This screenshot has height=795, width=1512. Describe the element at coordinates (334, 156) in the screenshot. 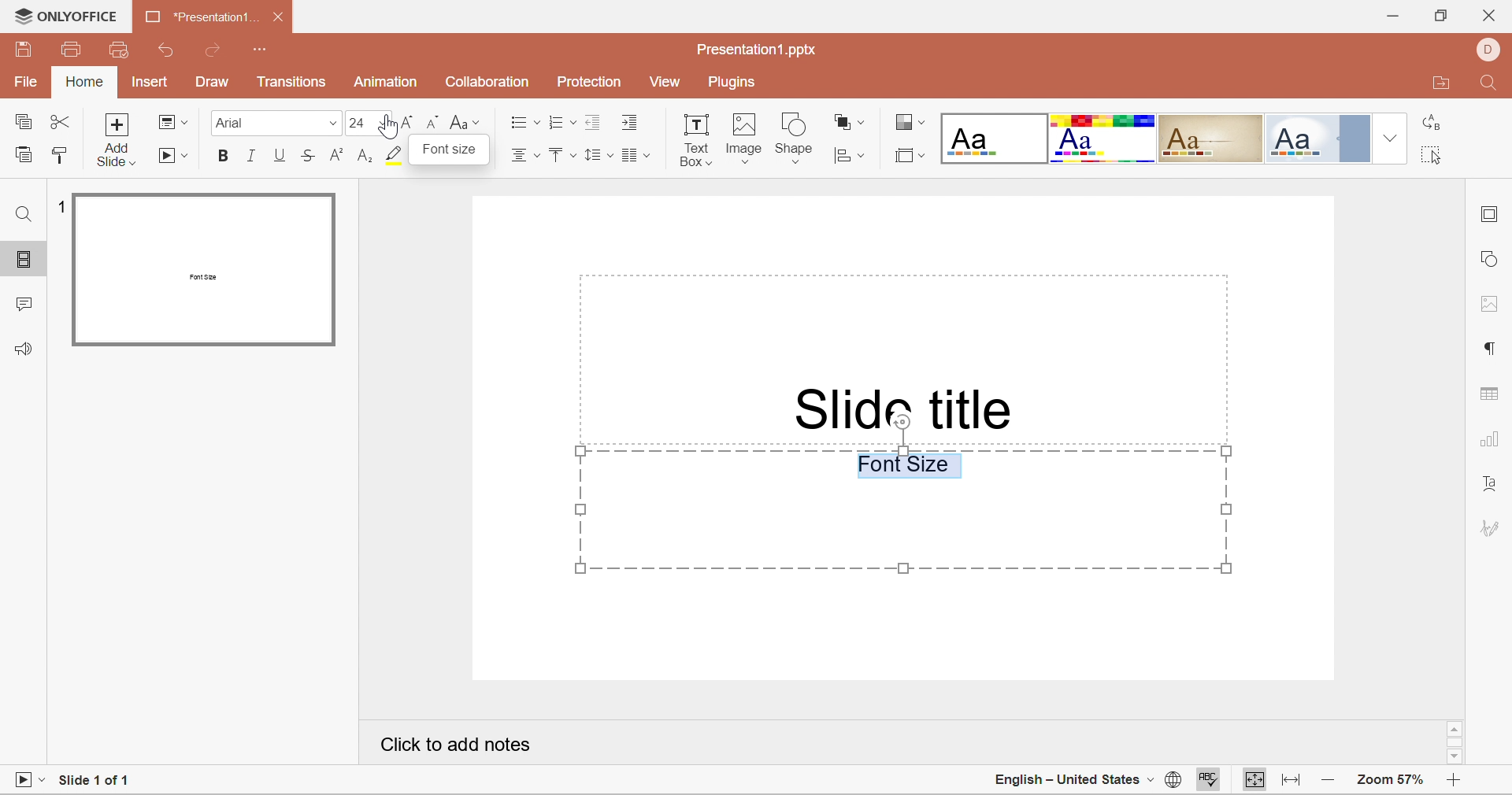

I see `Superscript` at that location.